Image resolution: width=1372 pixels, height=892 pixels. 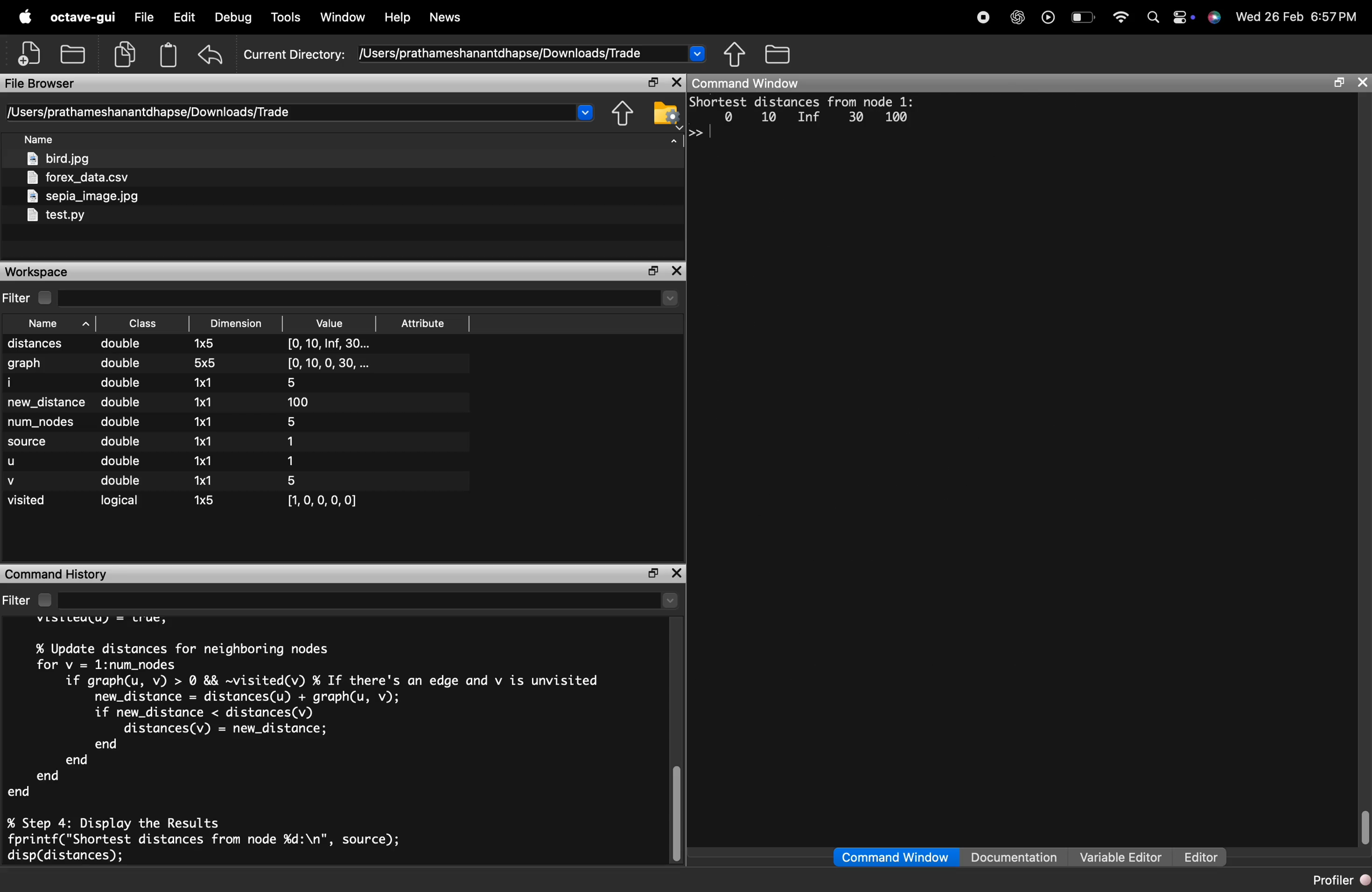 I want to click on apple , so click(x=25, y=17).